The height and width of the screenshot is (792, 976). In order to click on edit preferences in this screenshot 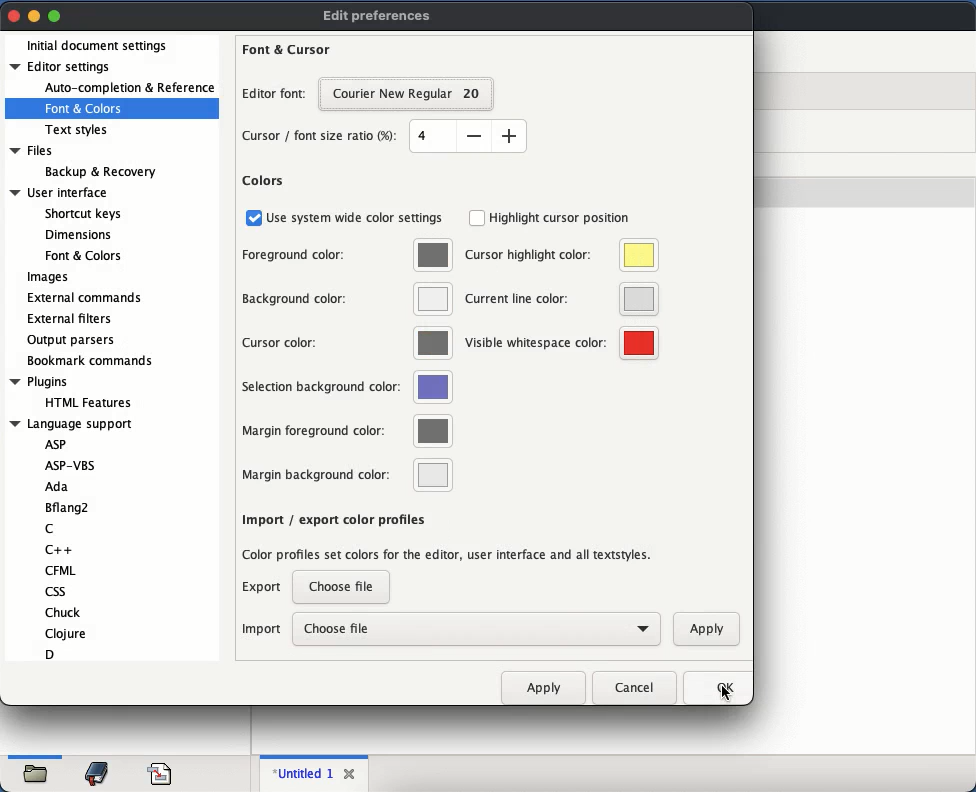, I will do `click(378, 16)`.